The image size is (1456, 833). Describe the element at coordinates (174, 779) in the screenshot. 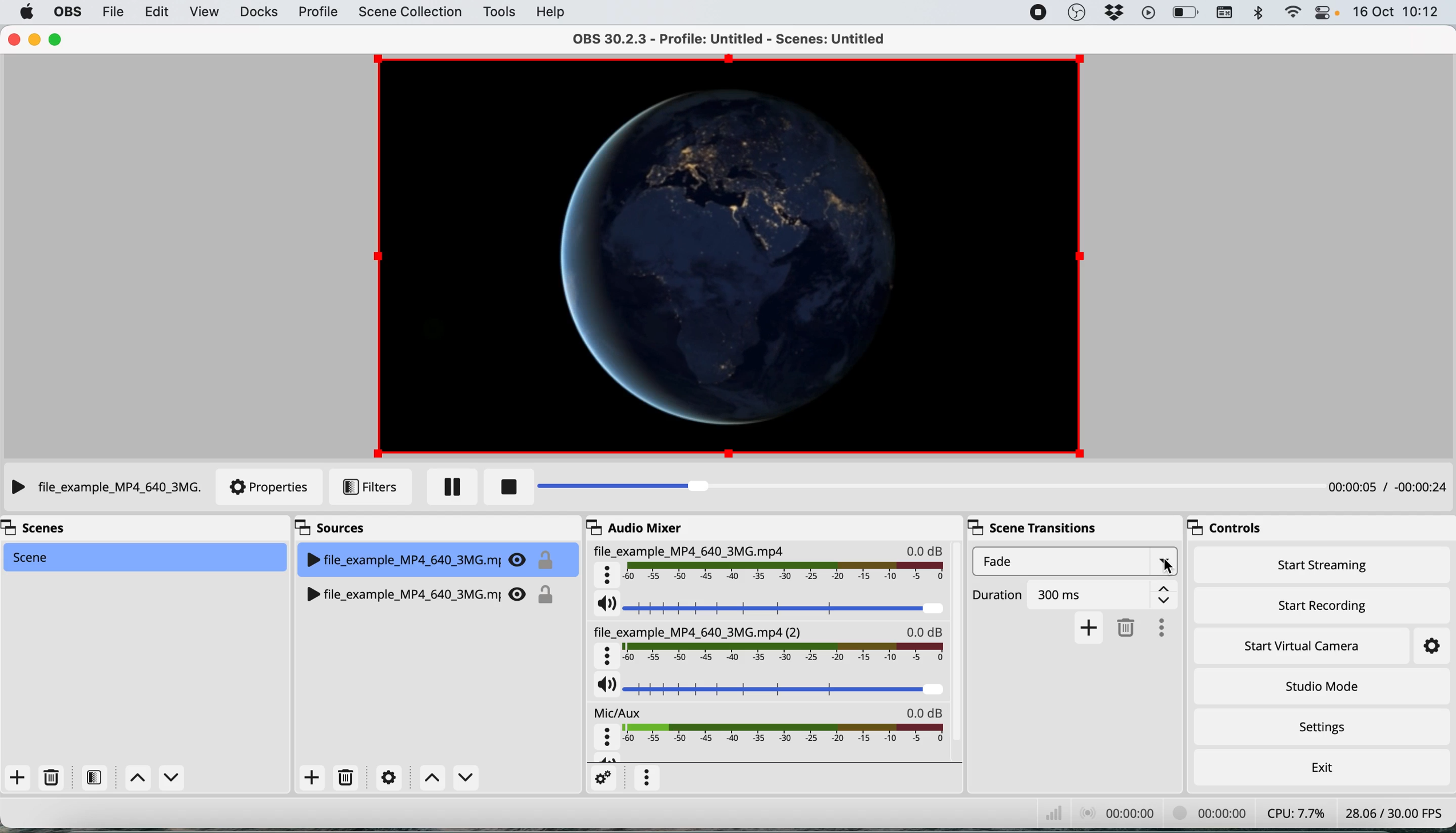

I see `Down Scene` at that location.